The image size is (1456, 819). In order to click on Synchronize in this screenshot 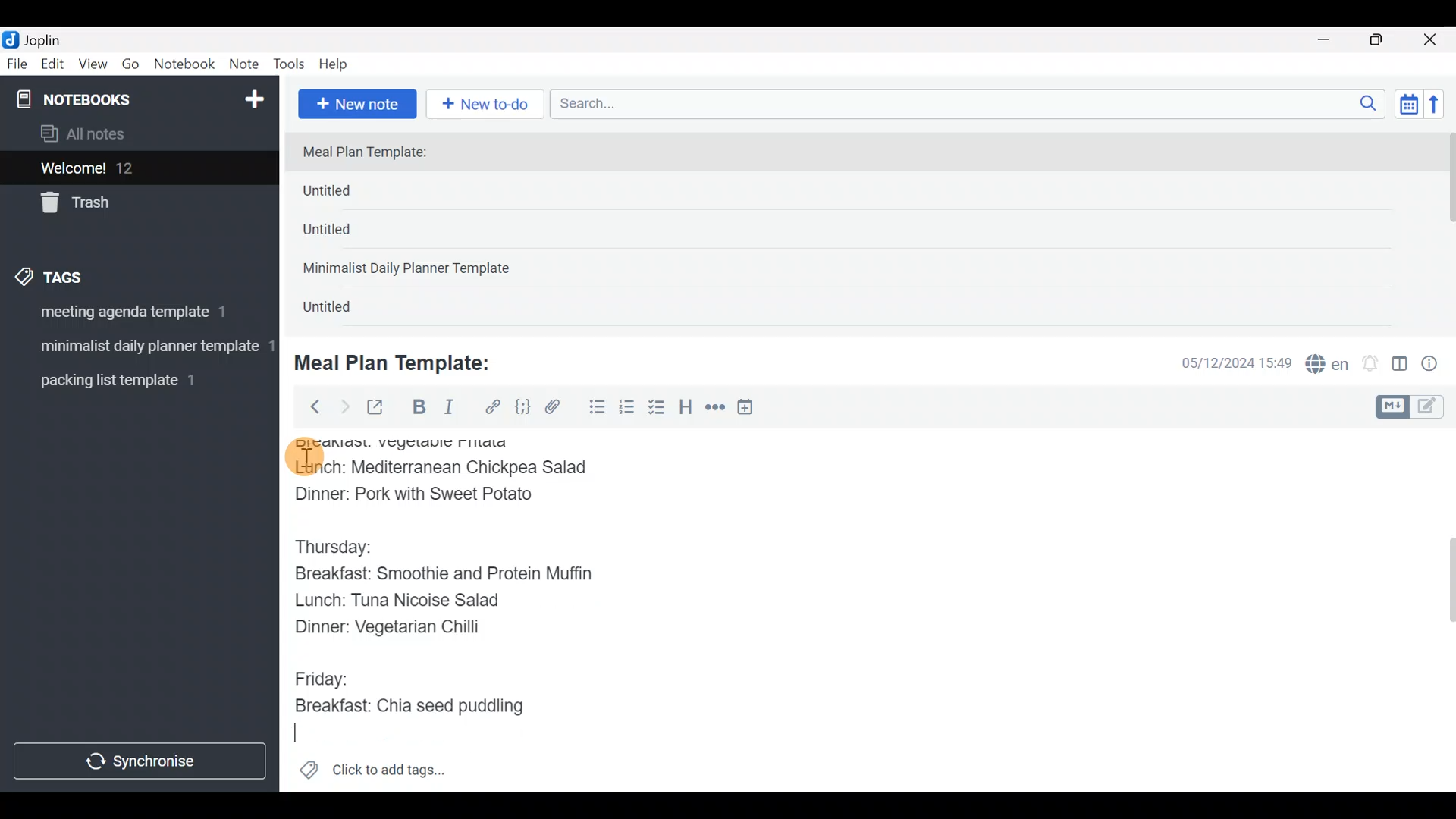, I will do `click(142, 761)`.